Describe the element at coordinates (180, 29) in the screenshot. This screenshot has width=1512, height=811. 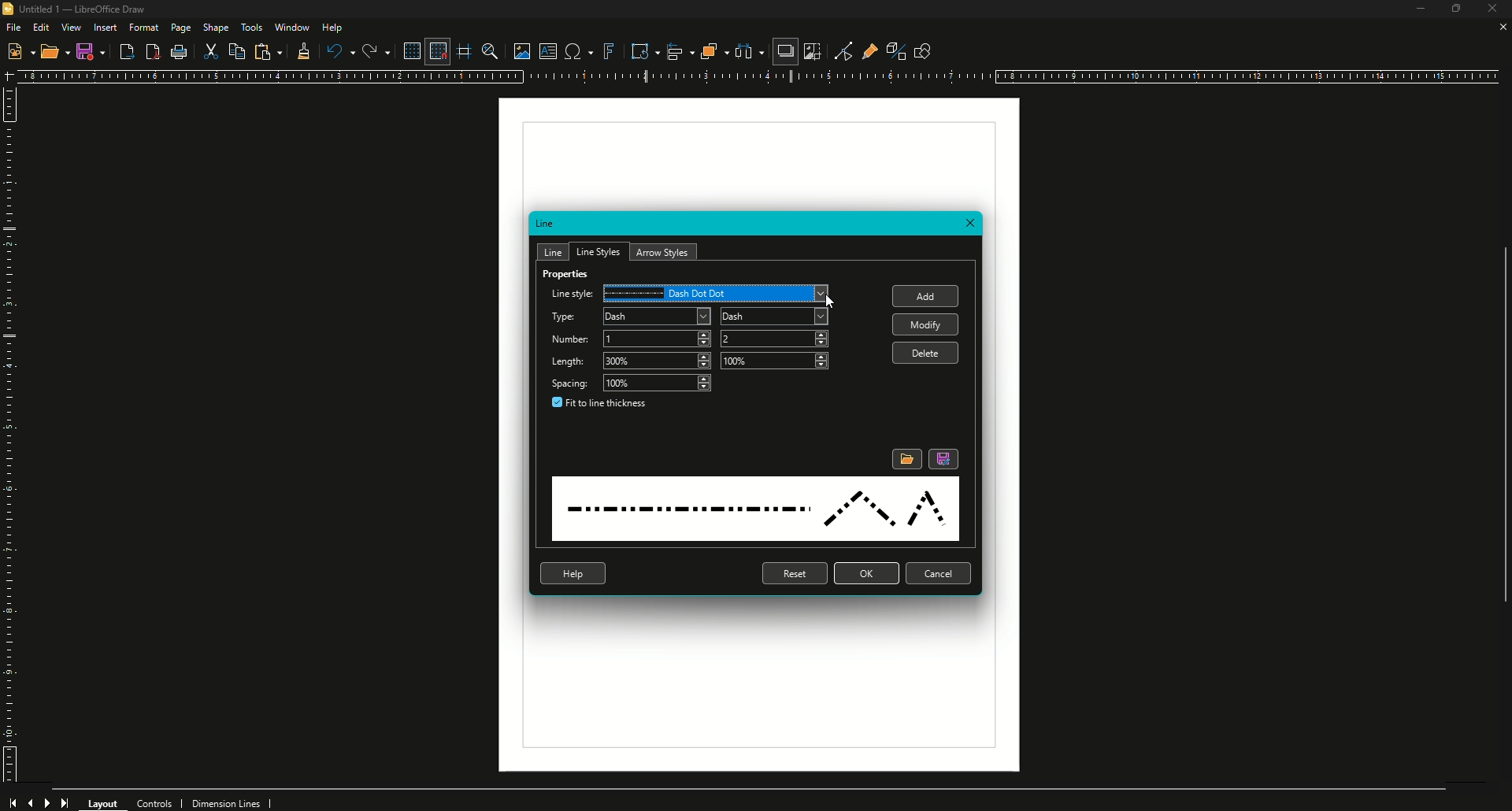
I see `Page` at that location.